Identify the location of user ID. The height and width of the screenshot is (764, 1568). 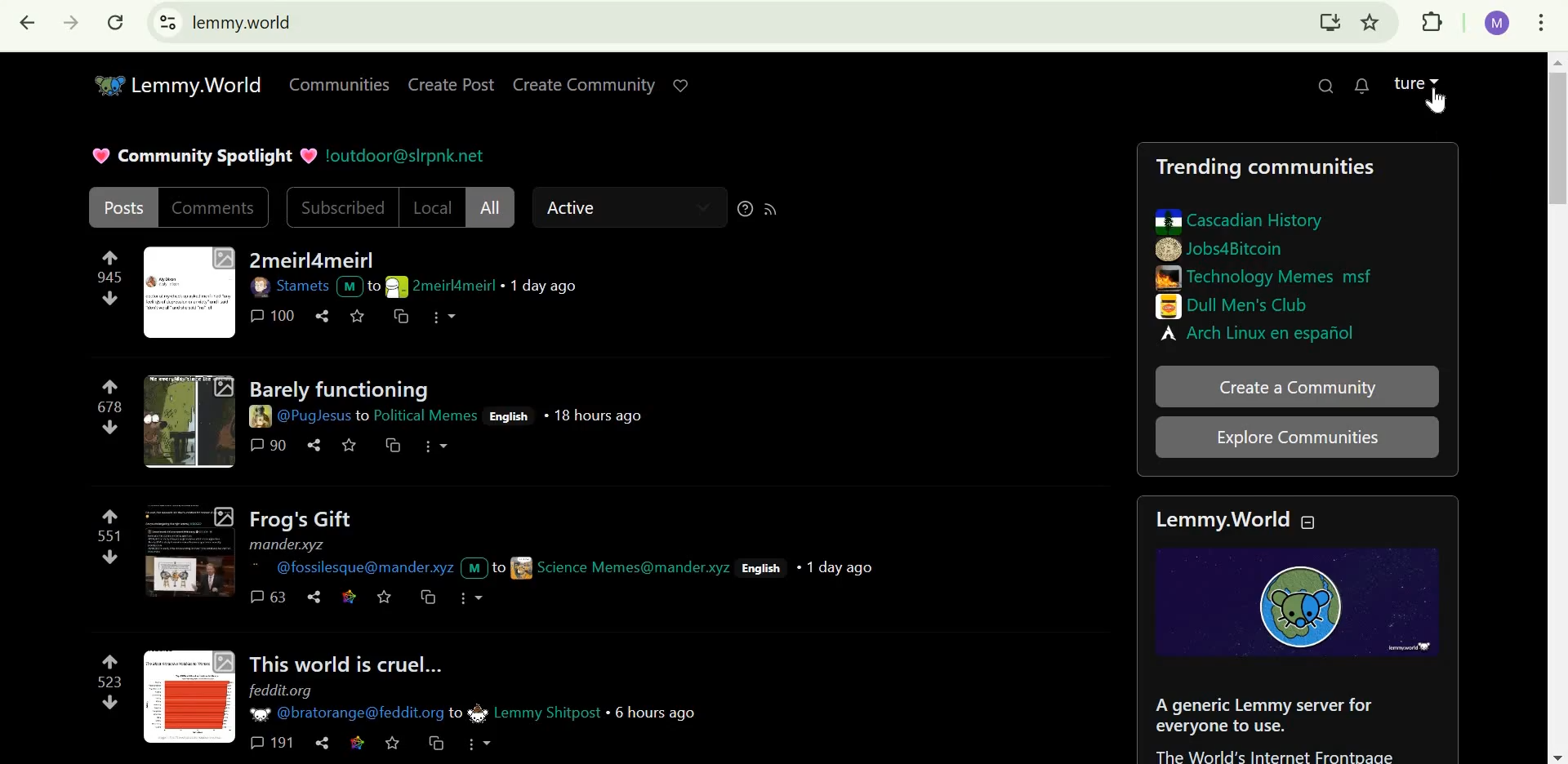
(432, 286).